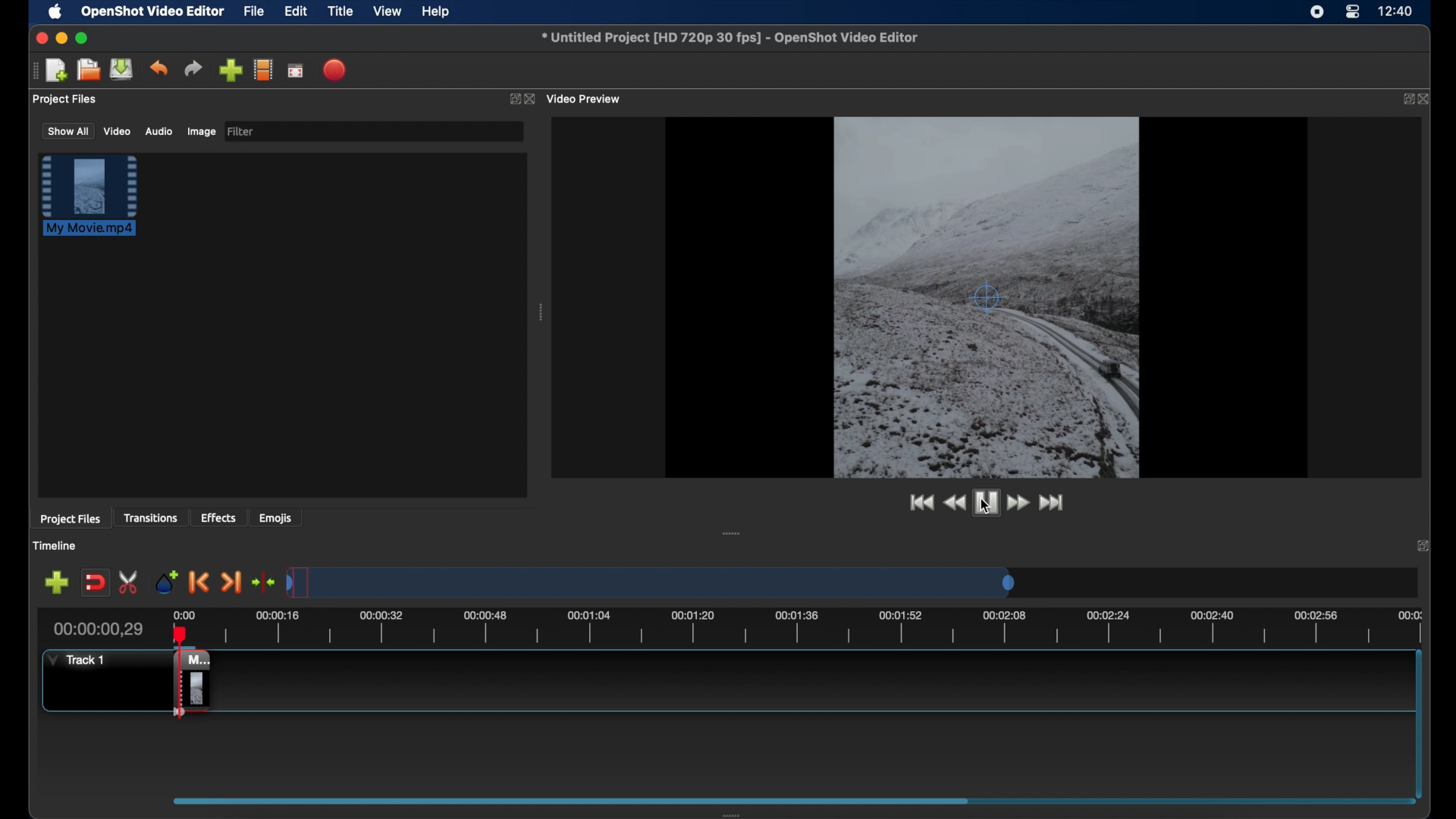  I want to click on close, so click(1426, 100).